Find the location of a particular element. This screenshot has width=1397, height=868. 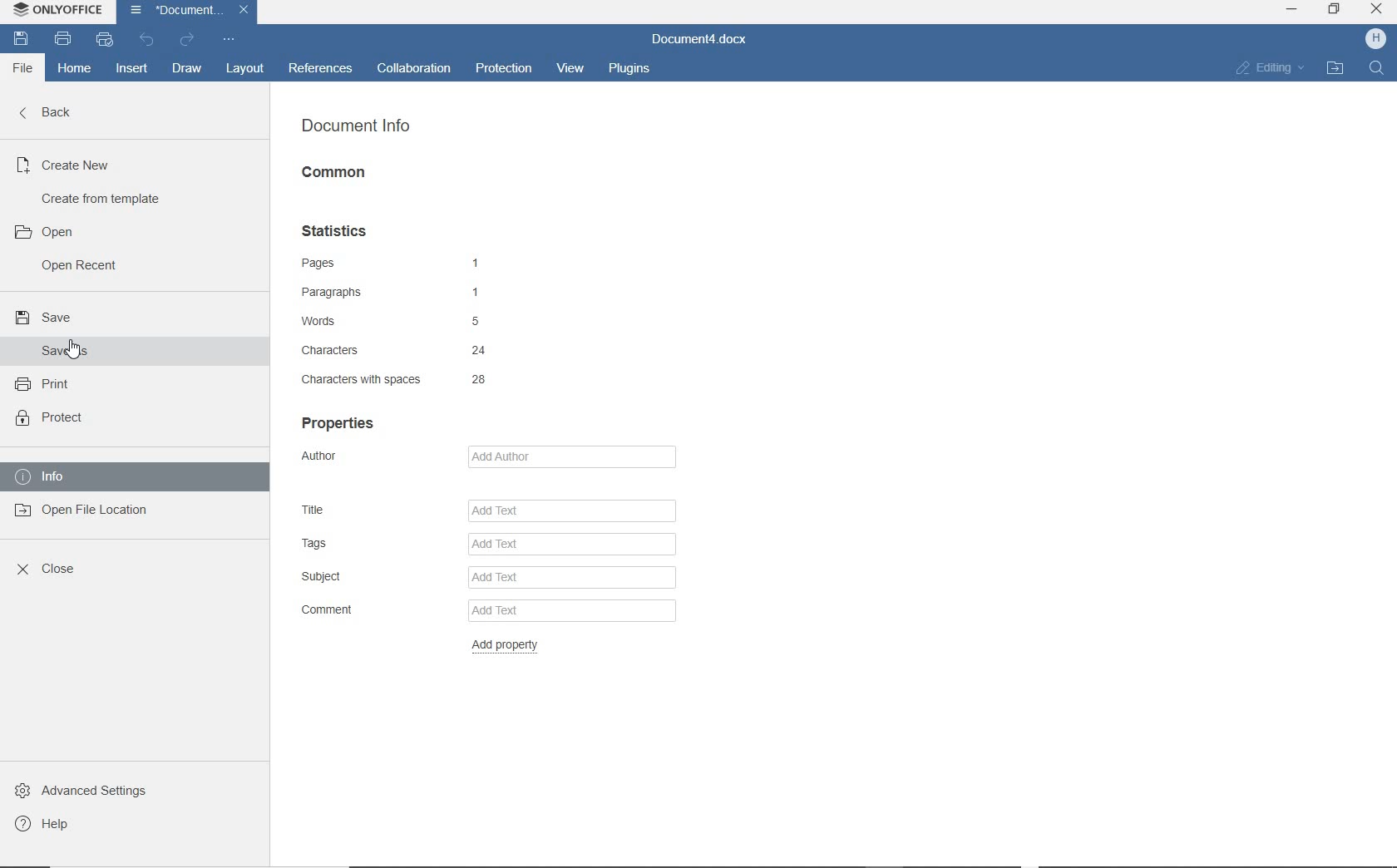

Pointer is located at coordinates (86, 355).